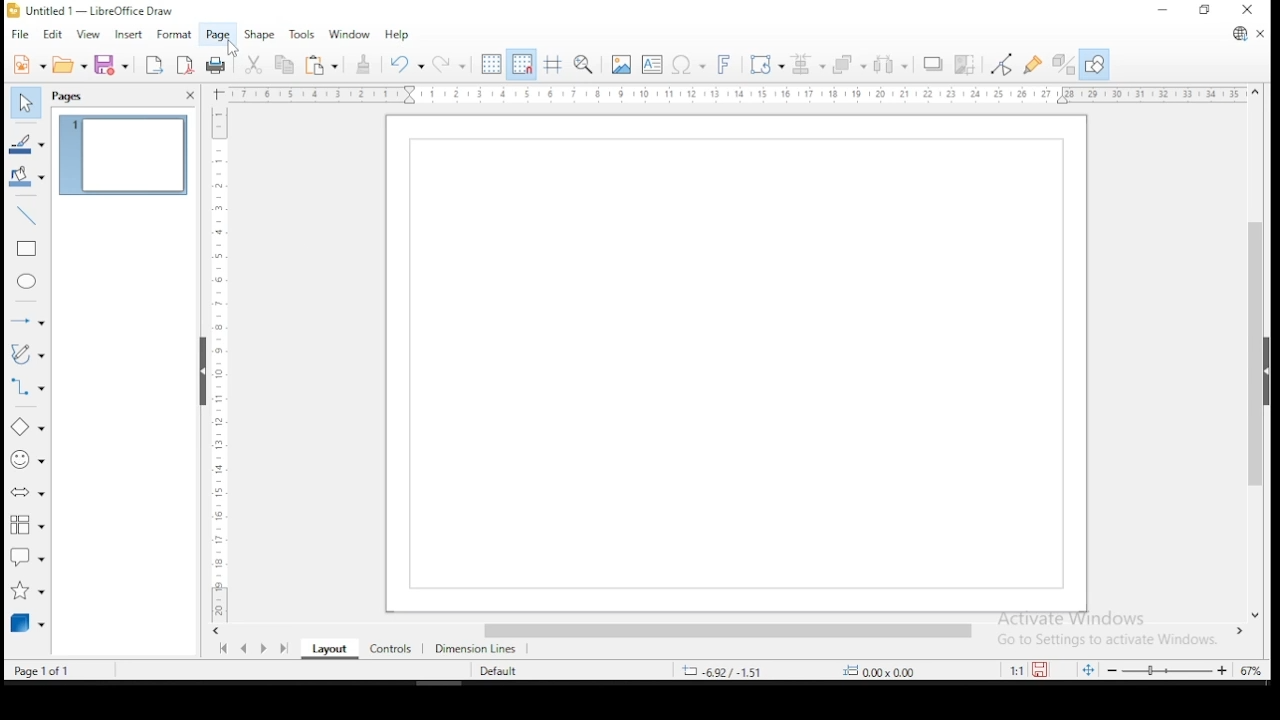  What do you see at coordinates (244, 651) in the screenshot?
I see `previous page` at bounding box center [244, 651].